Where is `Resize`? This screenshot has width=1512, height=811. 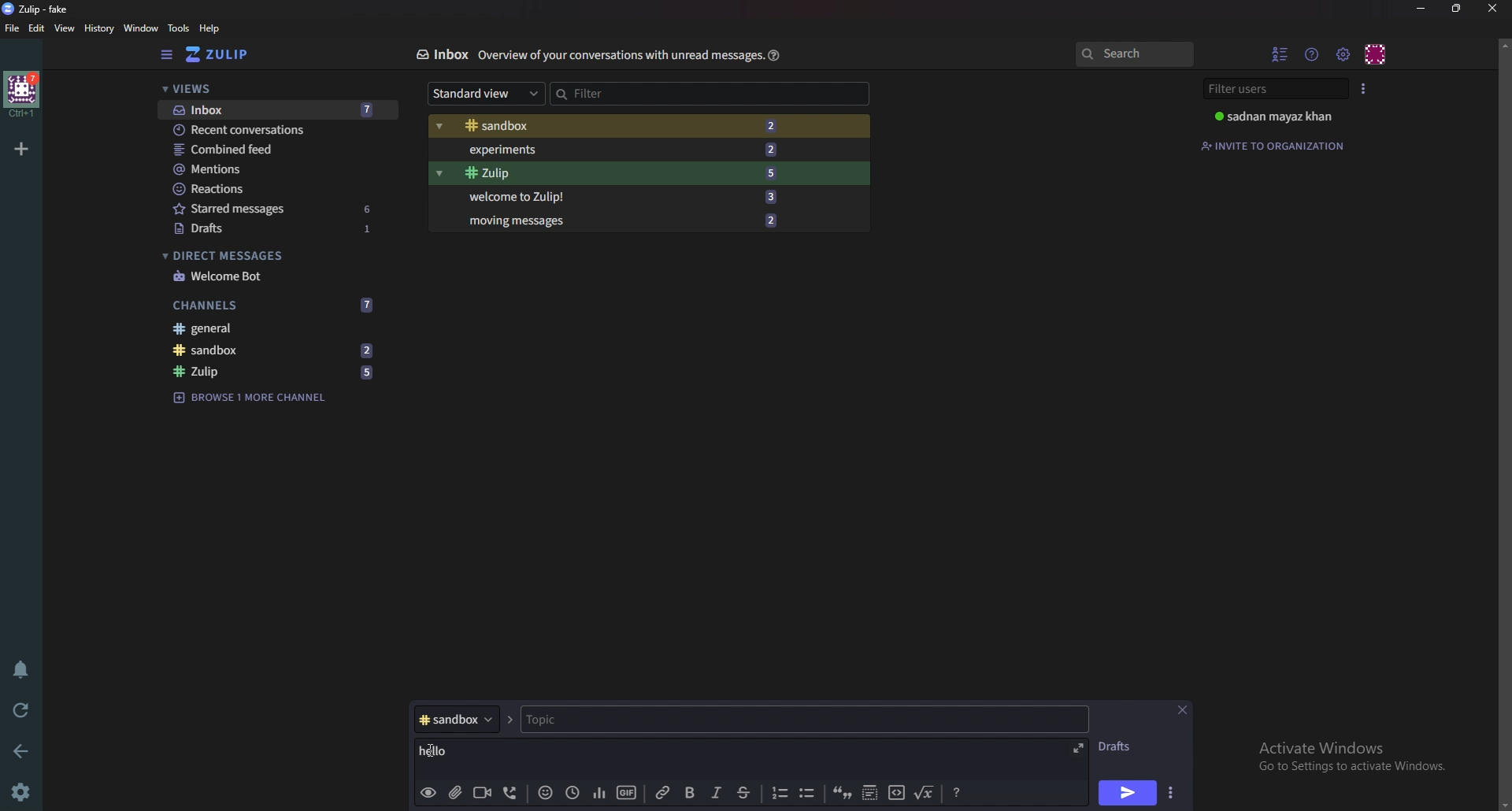 Resize is located at coordinates (1456, 8).